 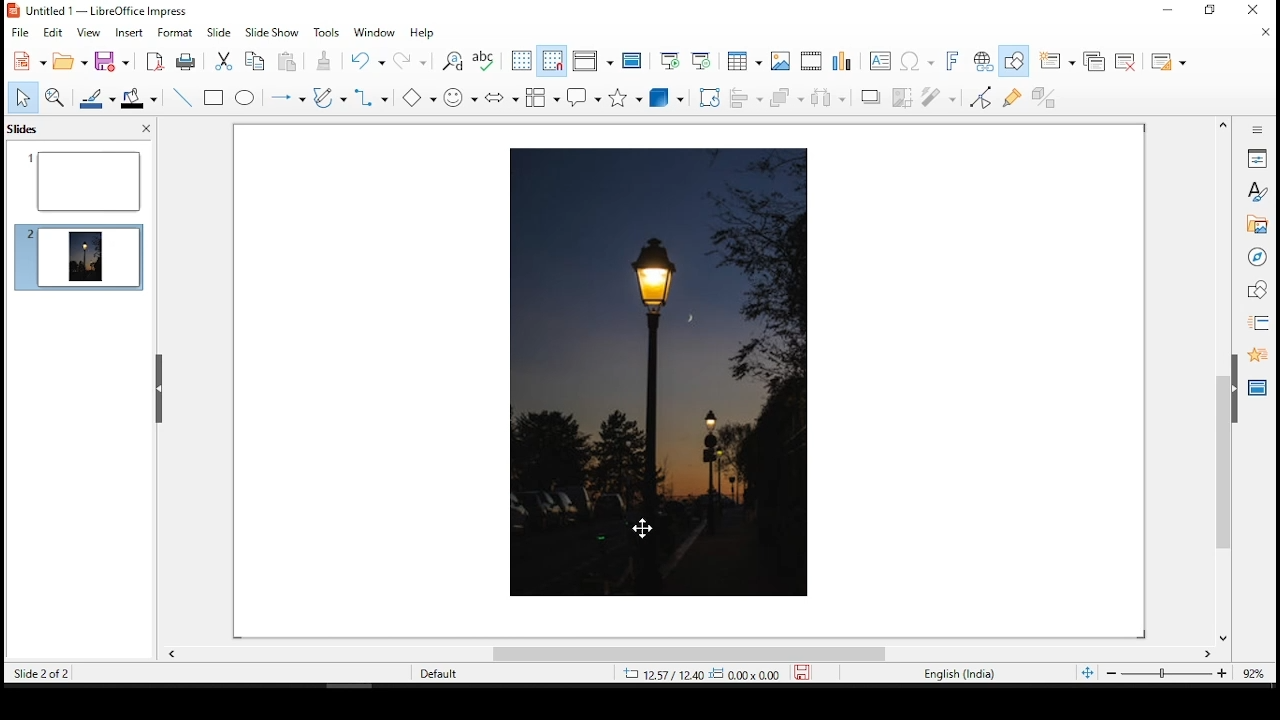 What do you see at coordinates (830, 98) in the screenshot?
I see `distribute` at bounding box center [830, 98].